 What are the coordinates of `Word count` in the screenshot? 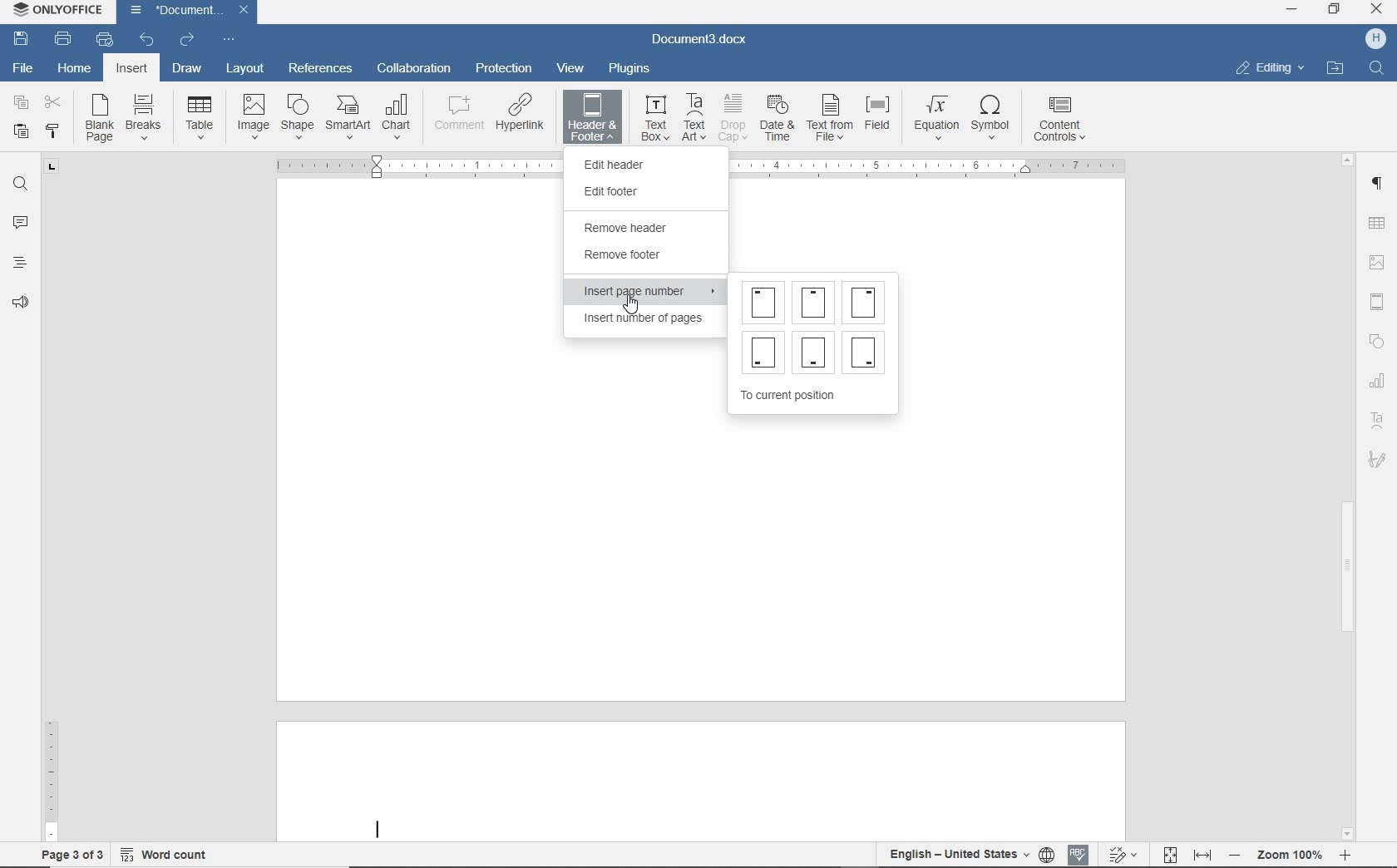 It's located at (165, 851).